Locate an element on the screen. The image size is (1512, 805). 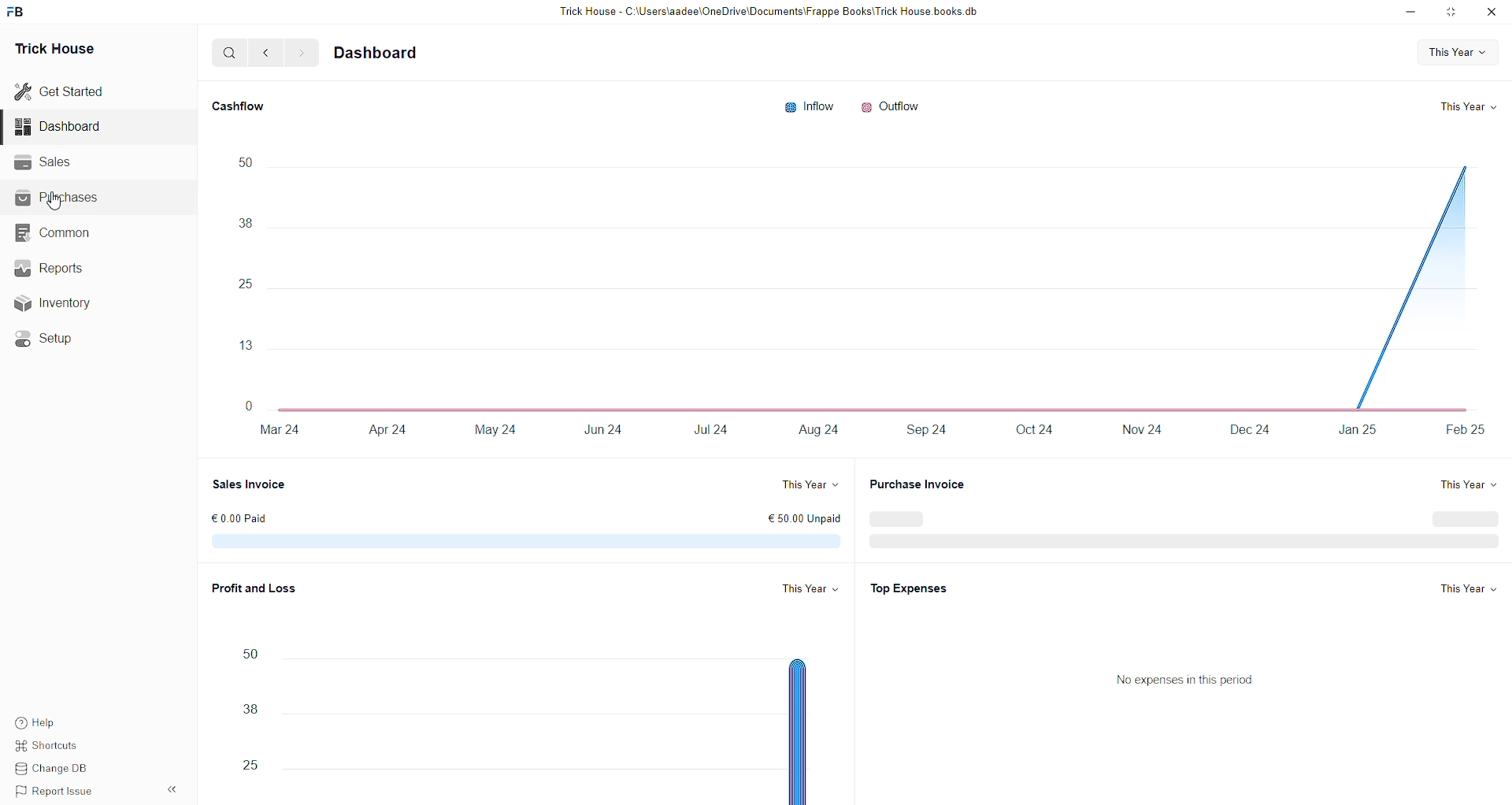
expand is located at coordinates (176, 785).